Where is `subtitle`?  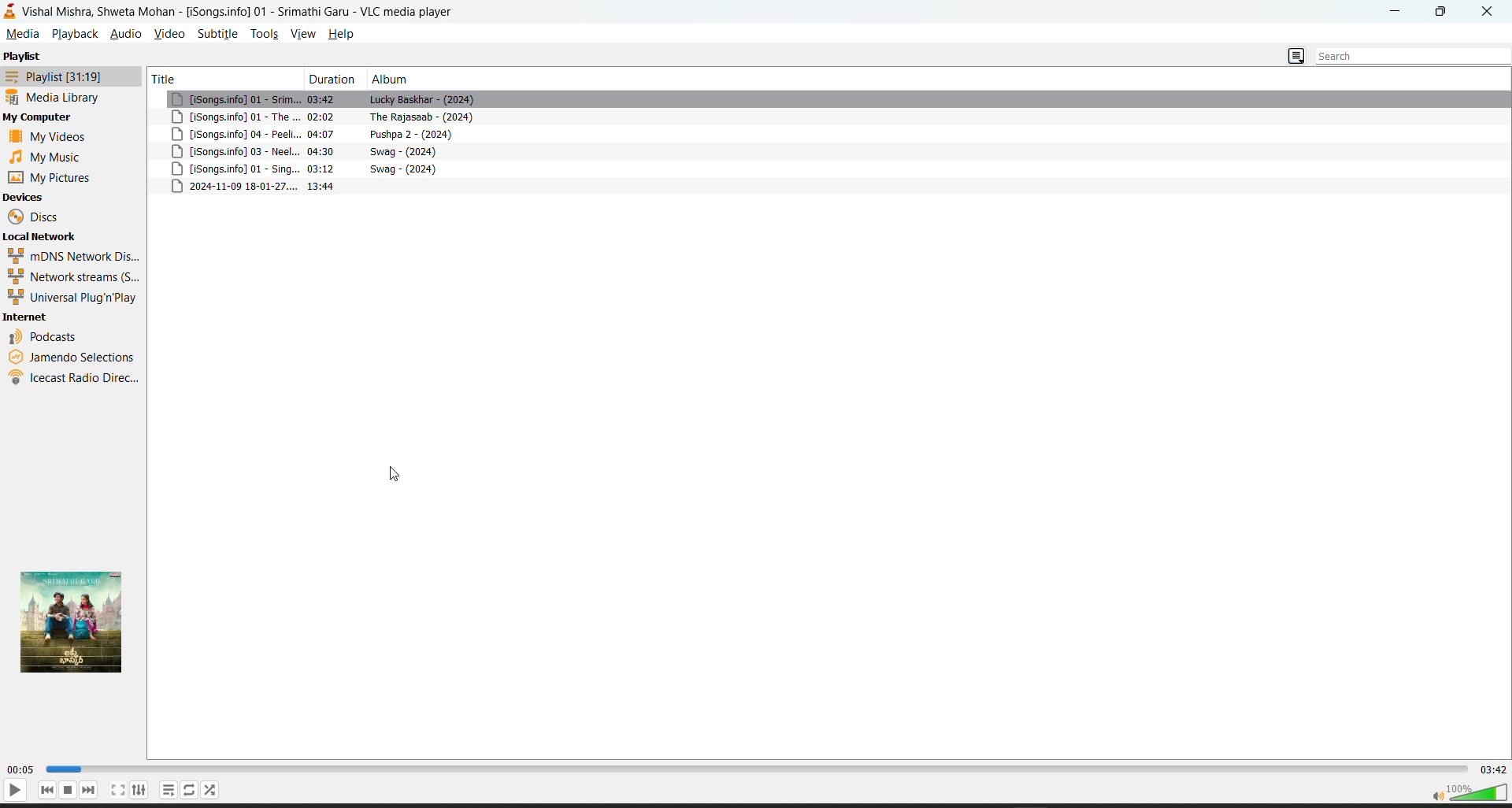 subtitle is located at coordinates (213, 34).